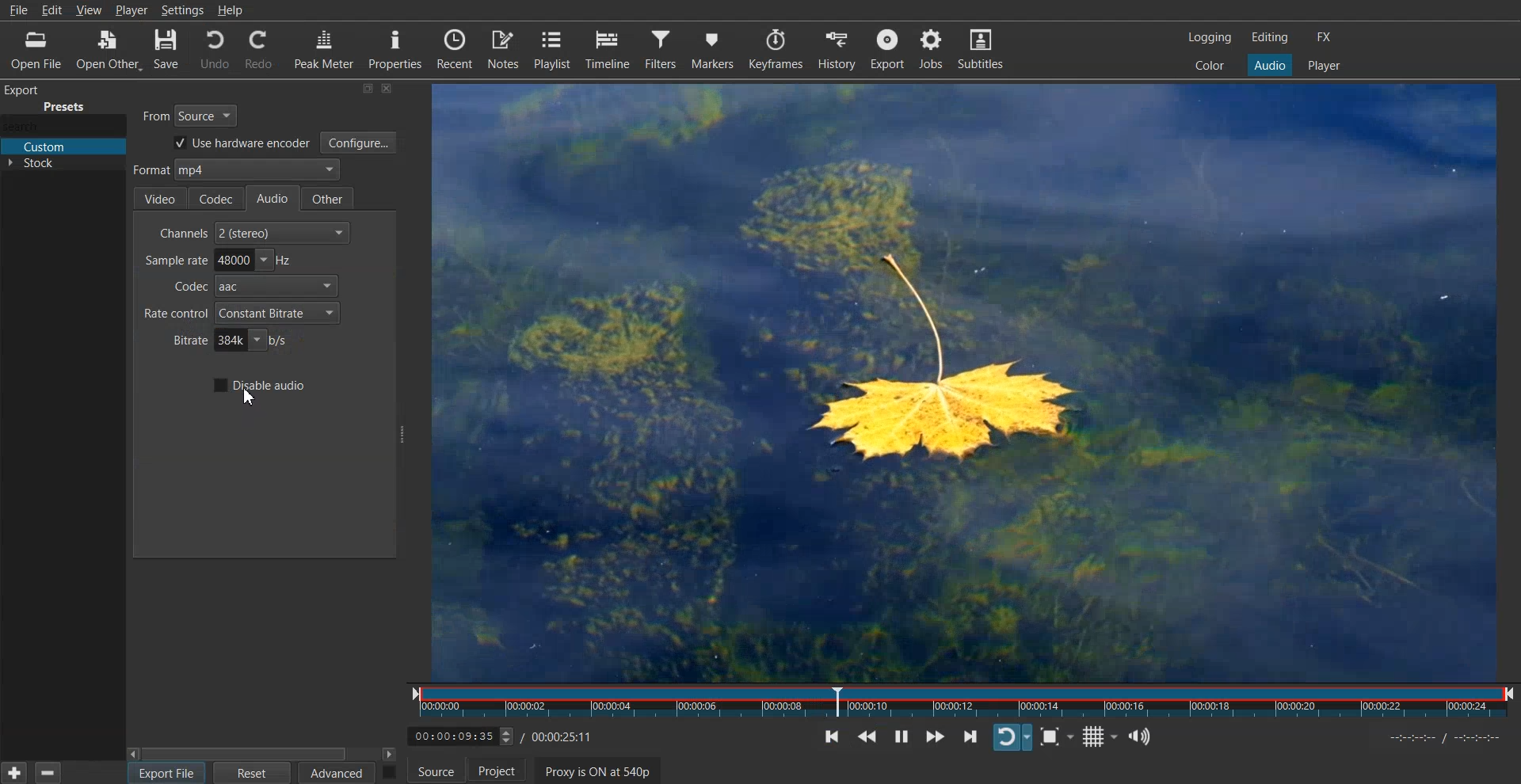  I want to click on Remove current selected preset setting, so click(47, 772).